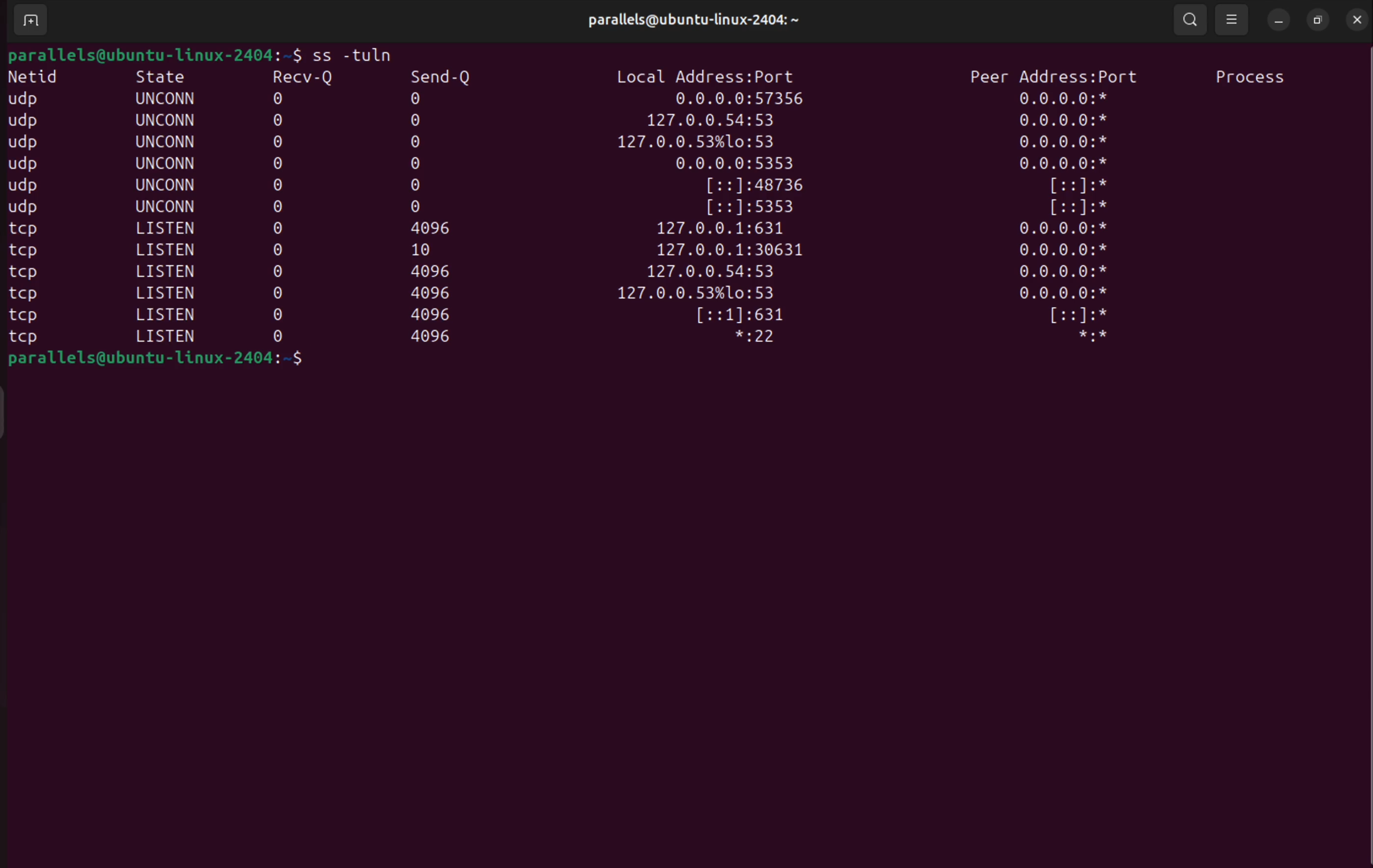 The image size is (1373, 868). Describe the element at coordinates (1068, 316) in the screenshot. I see `*` at that location.